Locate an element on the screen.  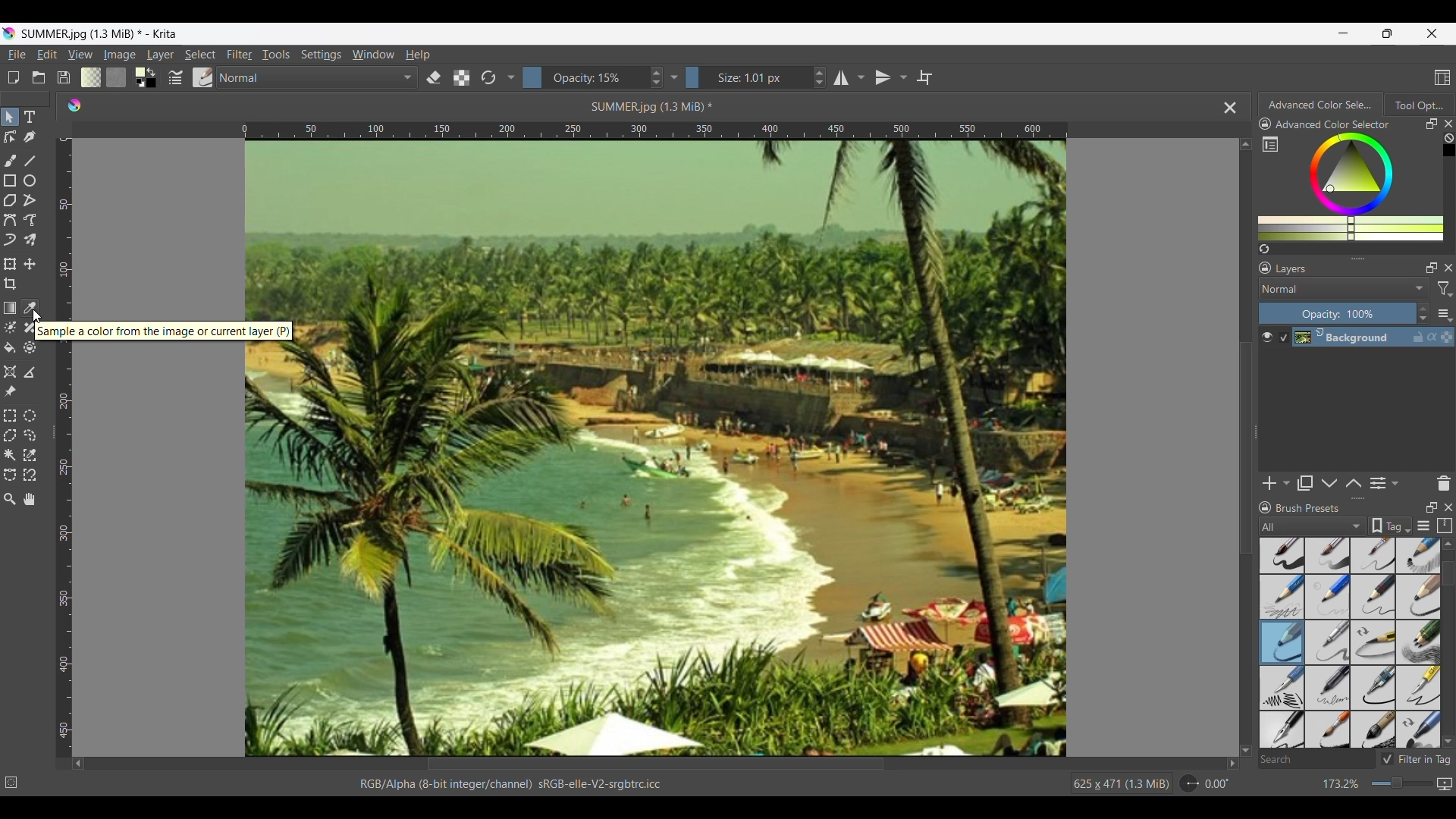
Assistant tool is located at coordinates (11, 372).